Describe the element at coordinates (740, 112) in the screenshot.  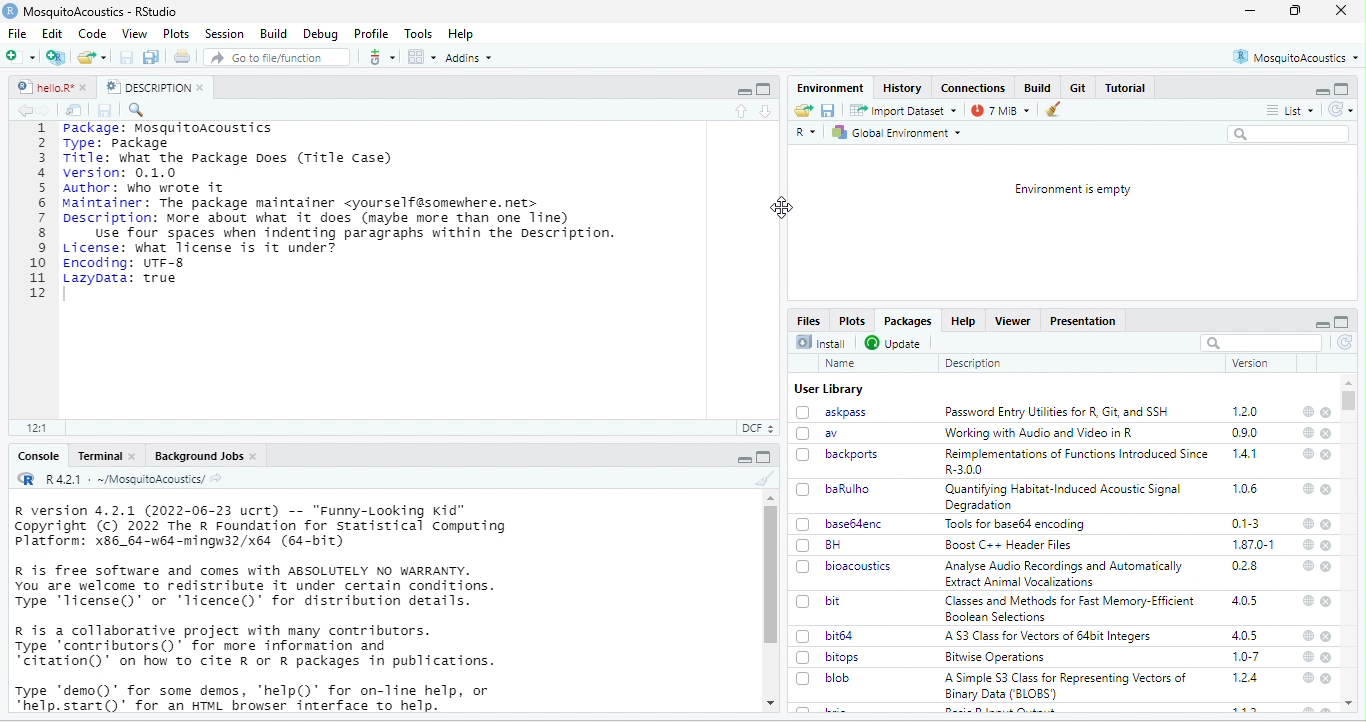
I see `previous section` at that location.